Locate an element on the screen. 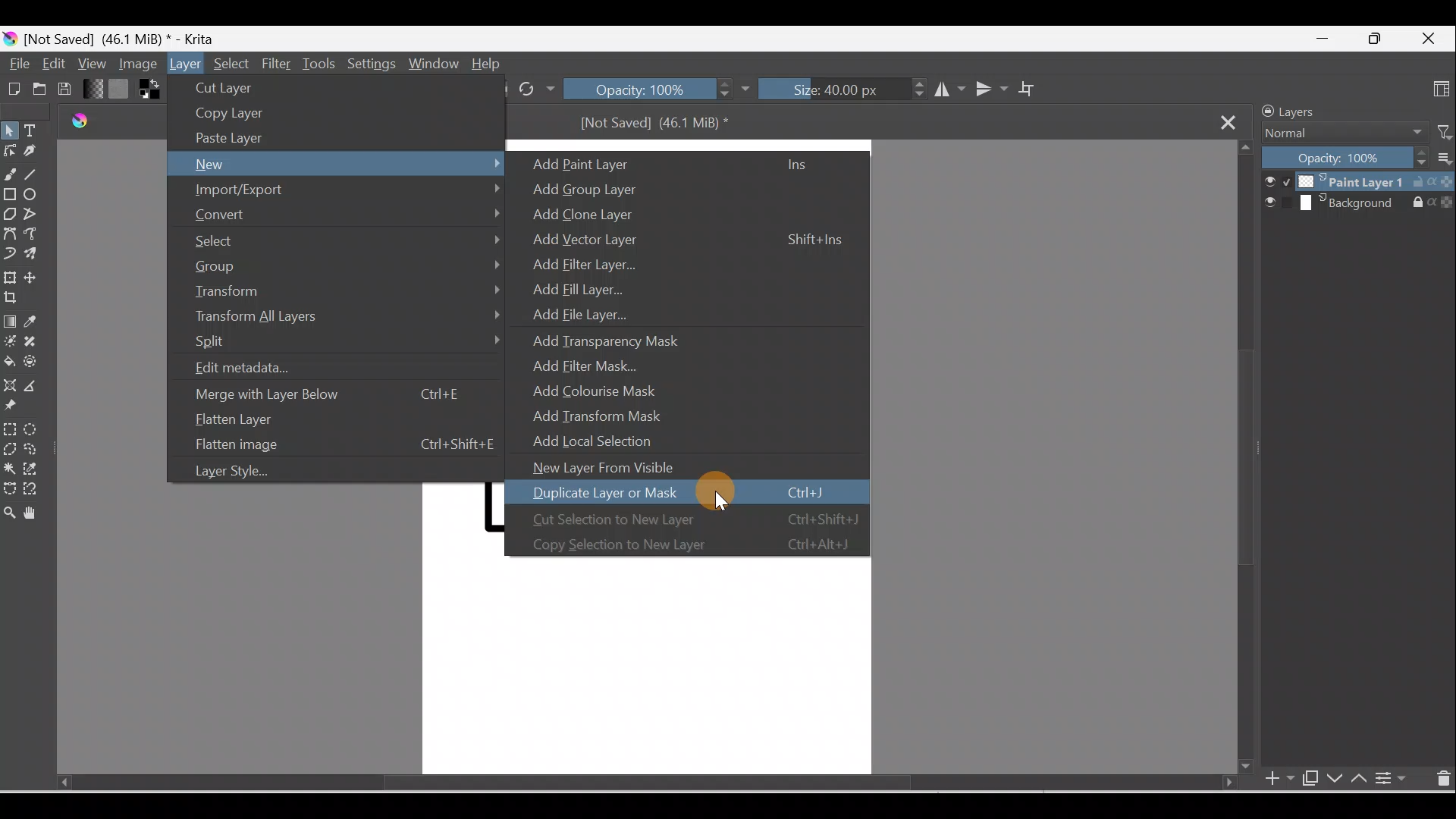 The height and width of the screenshot is (819, 1456). Fill patterns is located at coordinates (122, 91).